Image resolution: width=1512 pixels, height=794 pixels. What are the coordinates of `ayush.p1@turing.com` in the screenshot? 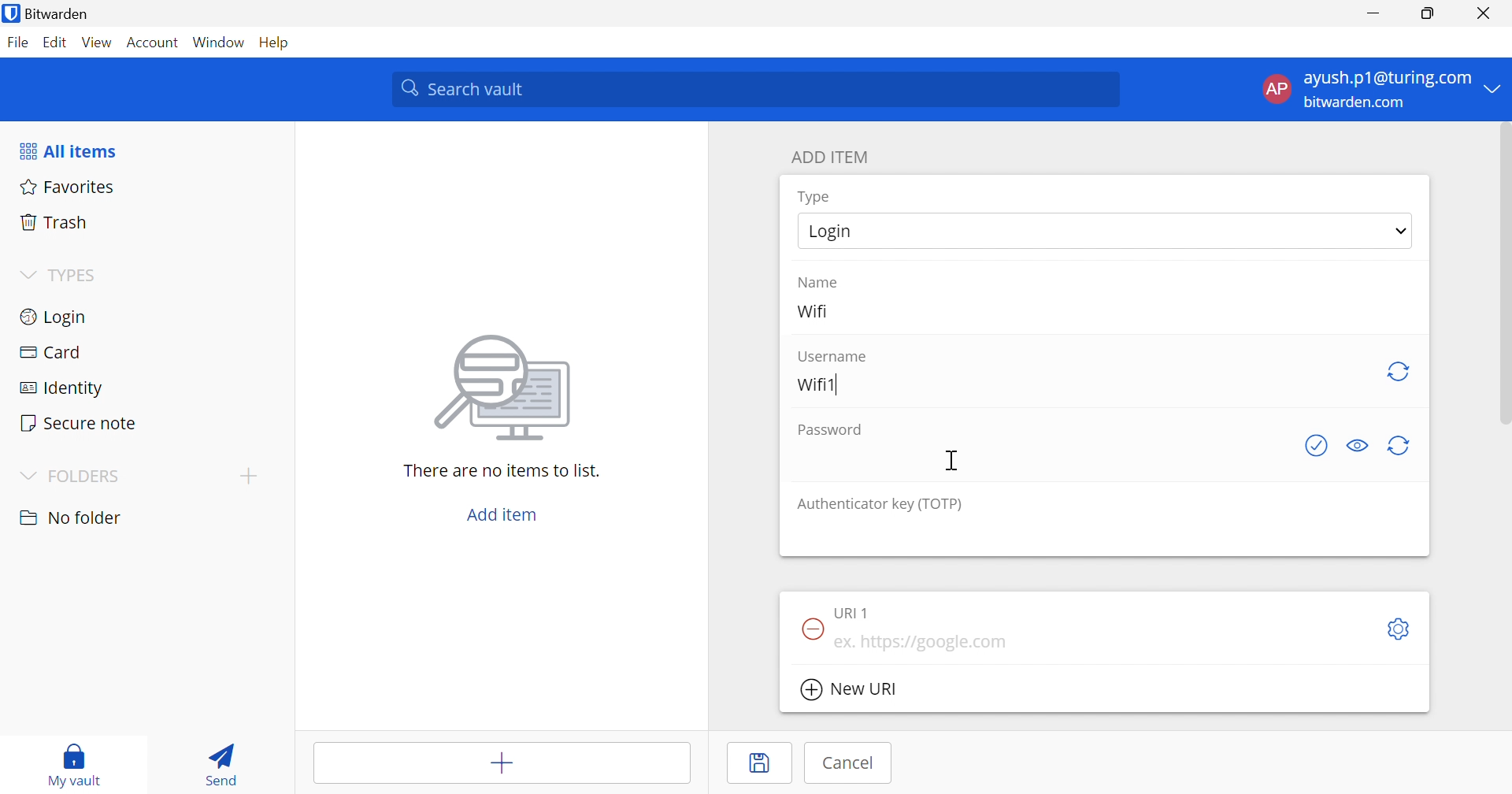 It's located at (1388, 79).